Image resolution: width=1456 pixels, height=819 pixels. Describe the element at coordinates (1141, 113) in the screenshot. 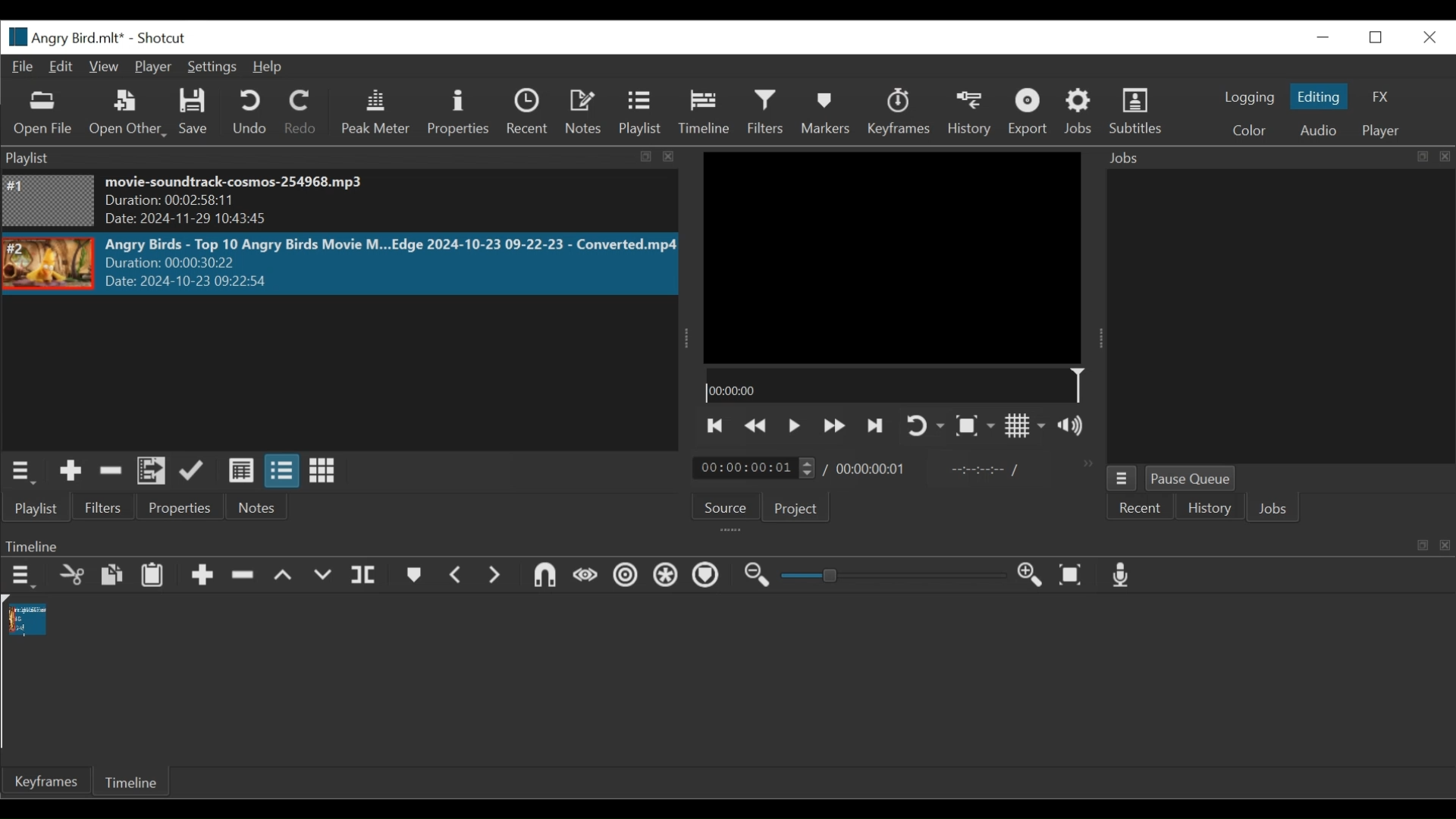

I see `Subtitles` at that location.